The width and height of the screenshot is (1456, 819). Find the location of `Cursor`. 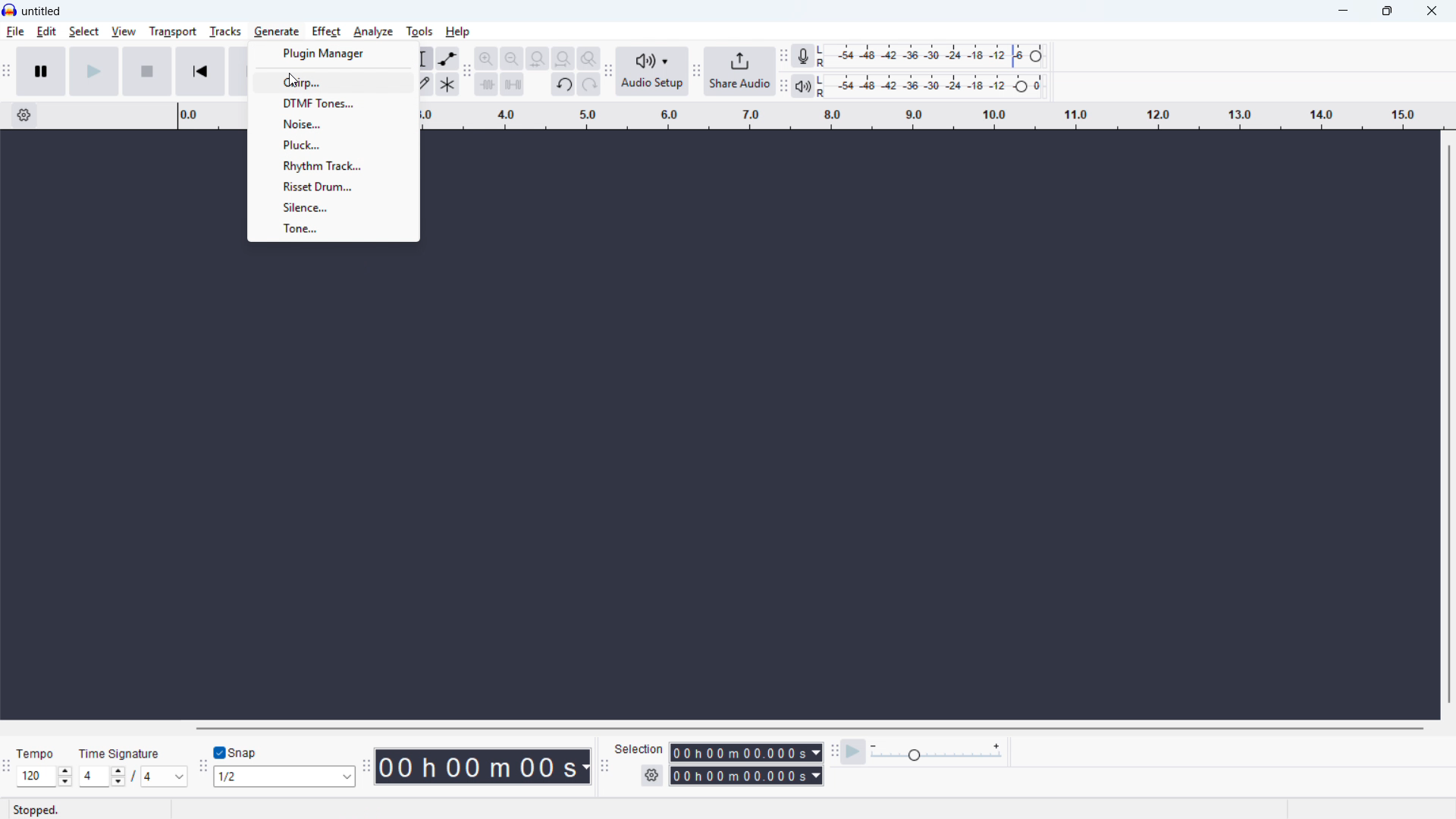

Cursor is located at coordinates (291, 82).